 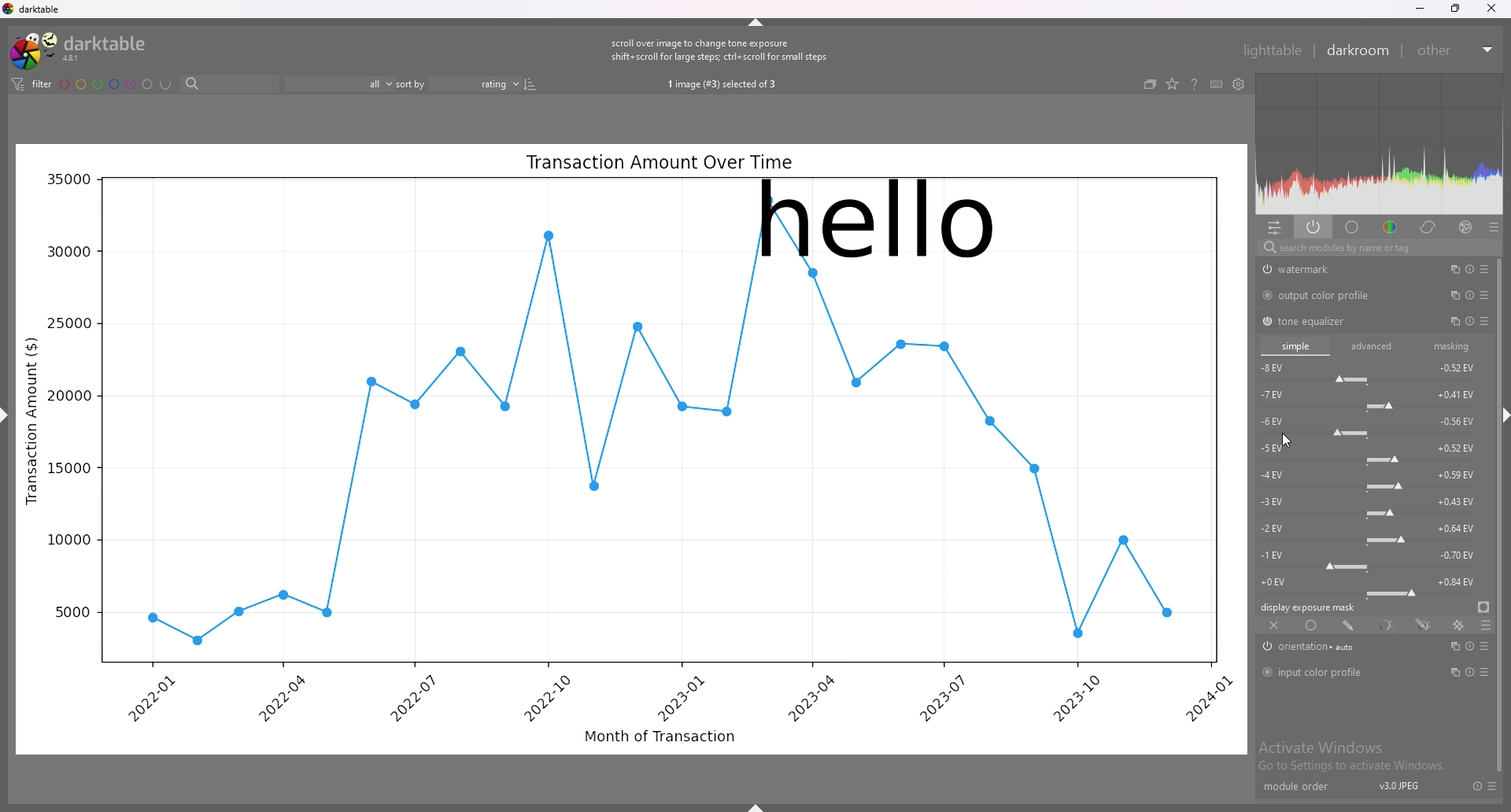 What do you see at coordinates (1299, 787) in the screenshot?
I see `module order` at bounding box center [1299, 787].